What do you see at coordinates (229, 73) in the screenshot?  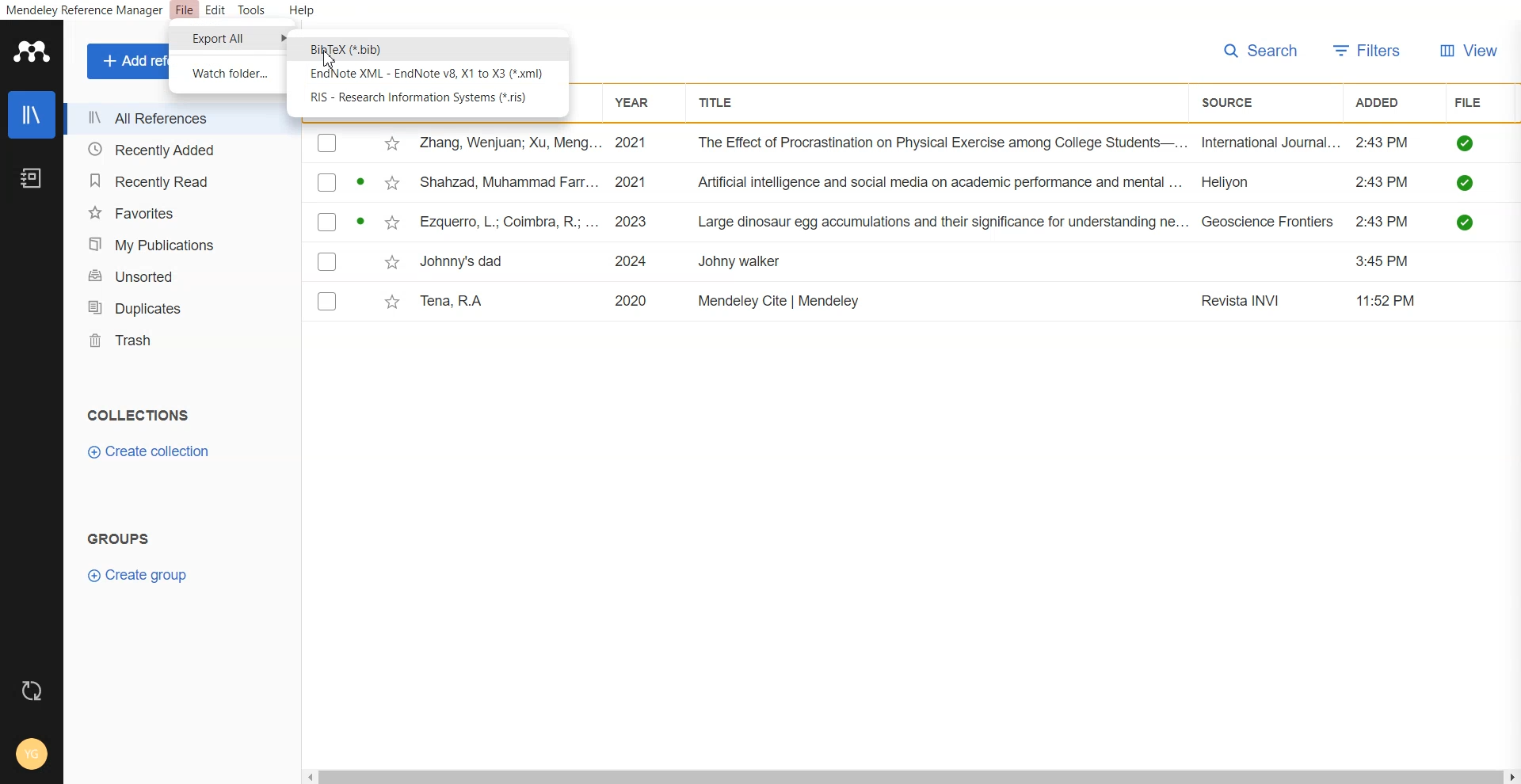 I see `Watch folder...` at bounding box center [229, 73].